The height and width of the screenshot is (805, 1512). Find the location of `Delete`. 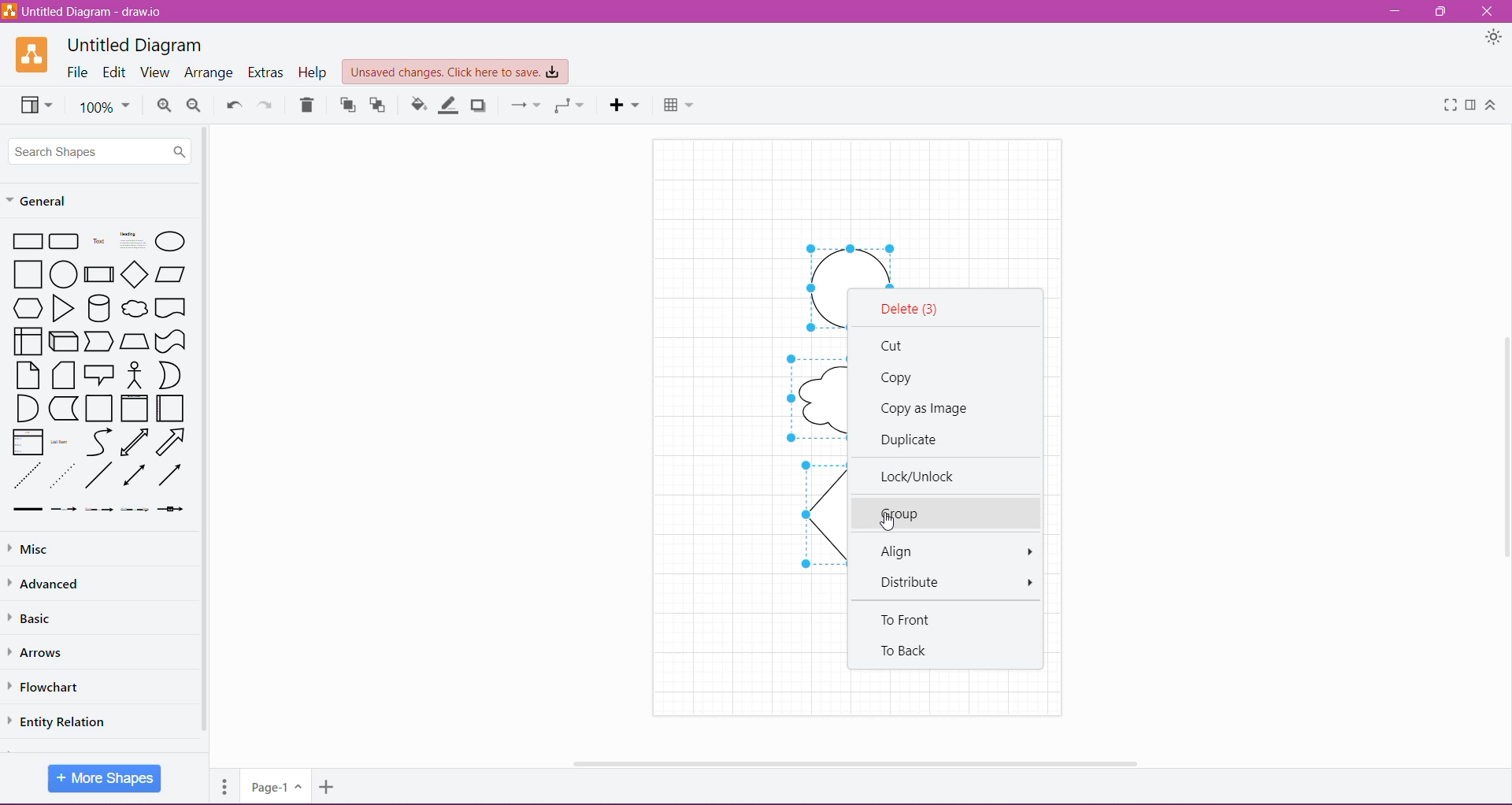

Delete is located at coordinates (307, 105).